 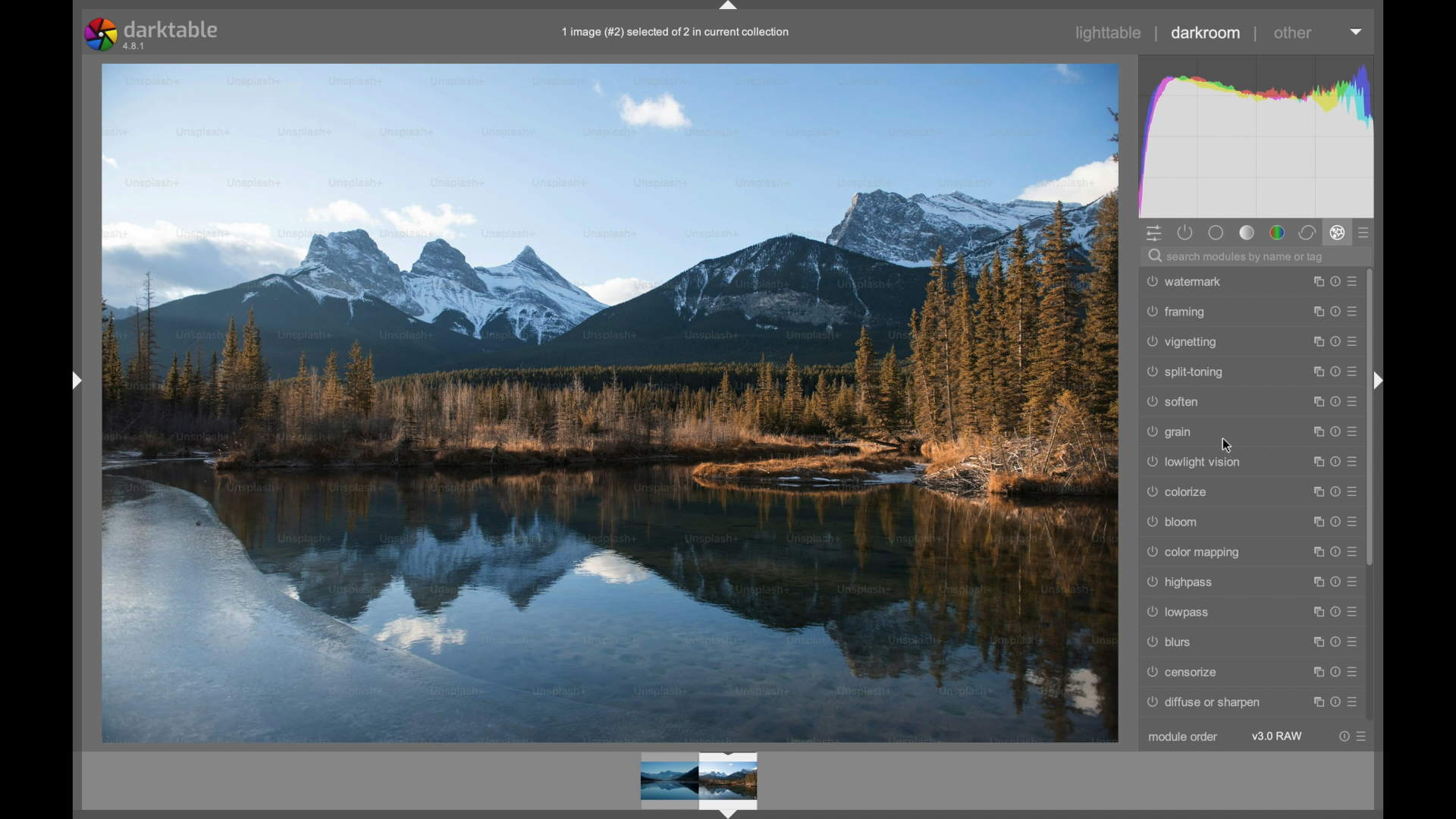 I want to click on reset parameters, so click(x=1335, y=310).